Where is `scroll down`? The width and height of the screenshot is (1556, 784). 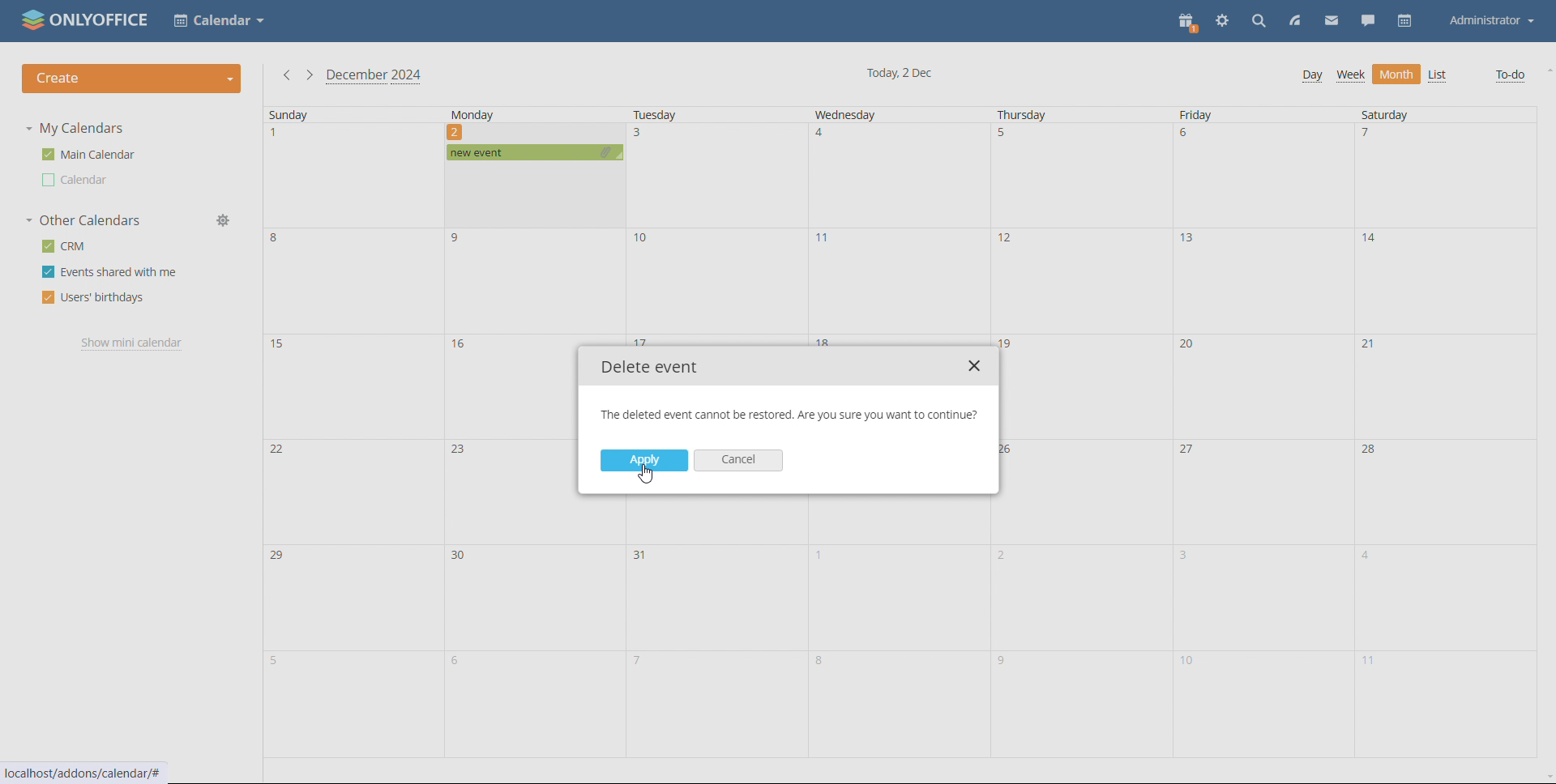 scroll down is located at coordinates (1546, 776).